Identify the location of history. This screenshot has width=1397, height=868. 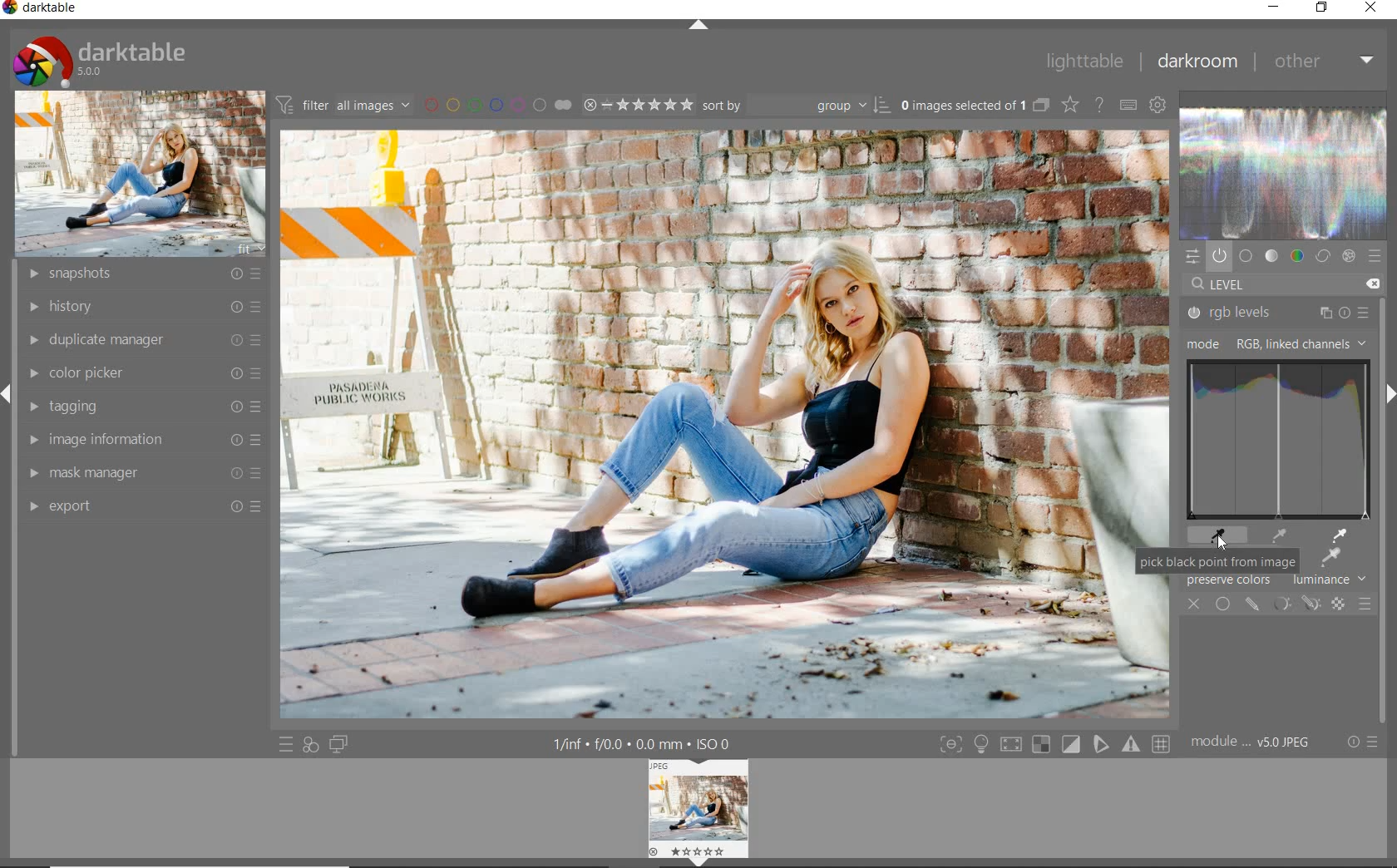
(142, 308).